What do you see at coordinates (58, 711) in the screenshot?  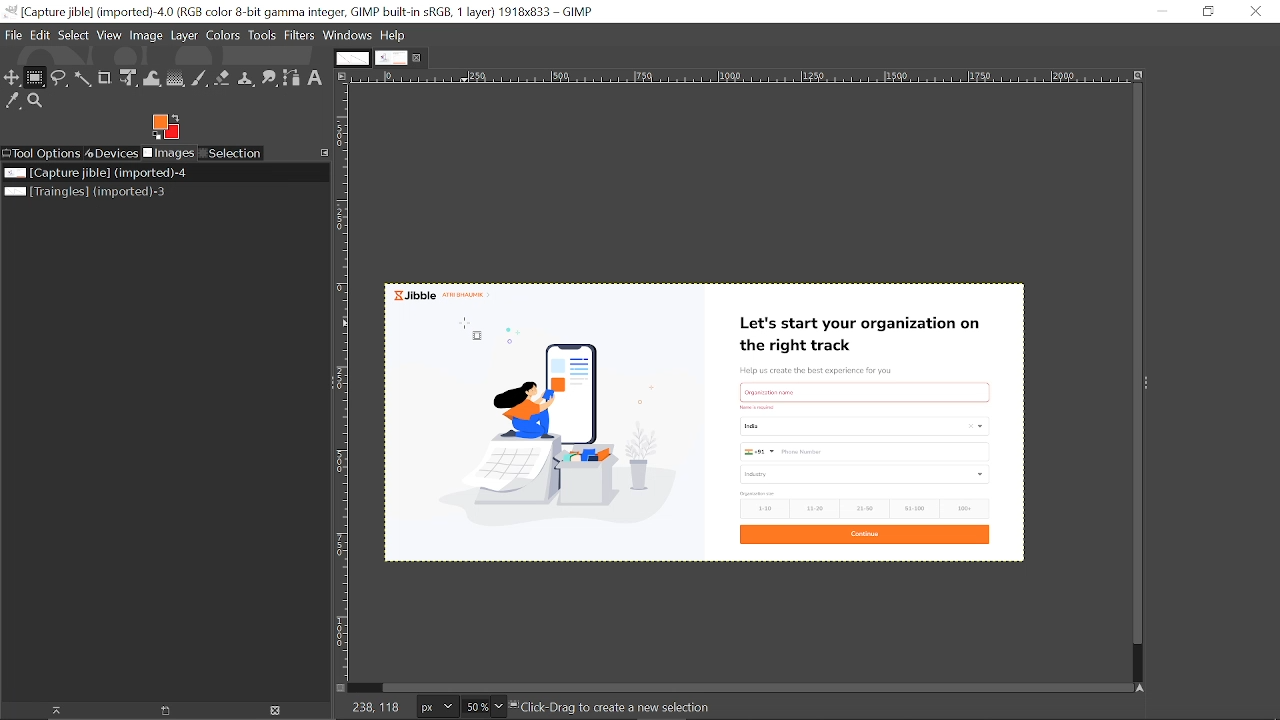 I see `Raise this image's display` at bounding box center [58, 711].